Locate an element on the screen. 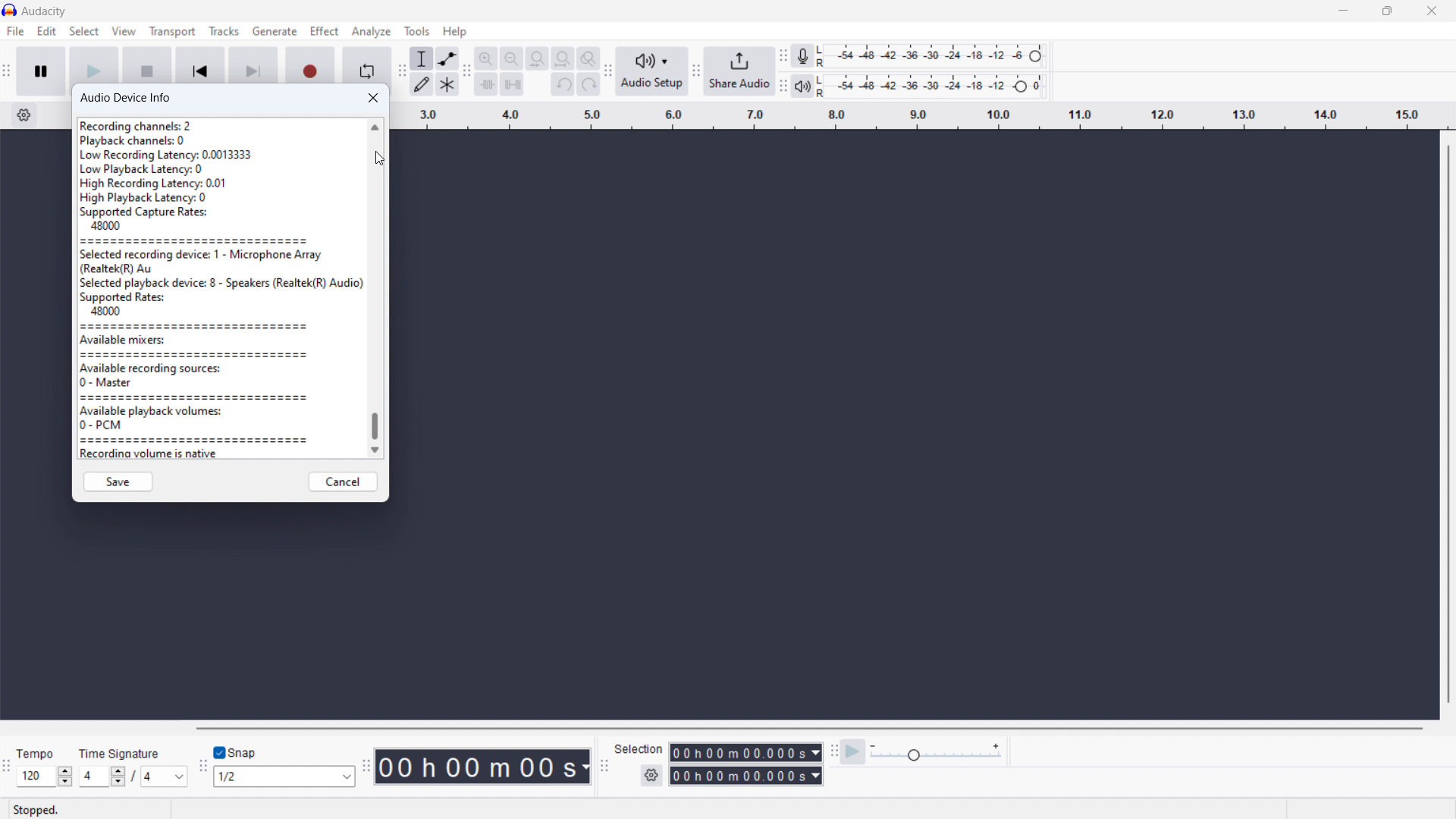  settings is located at coordinates (651, 775).